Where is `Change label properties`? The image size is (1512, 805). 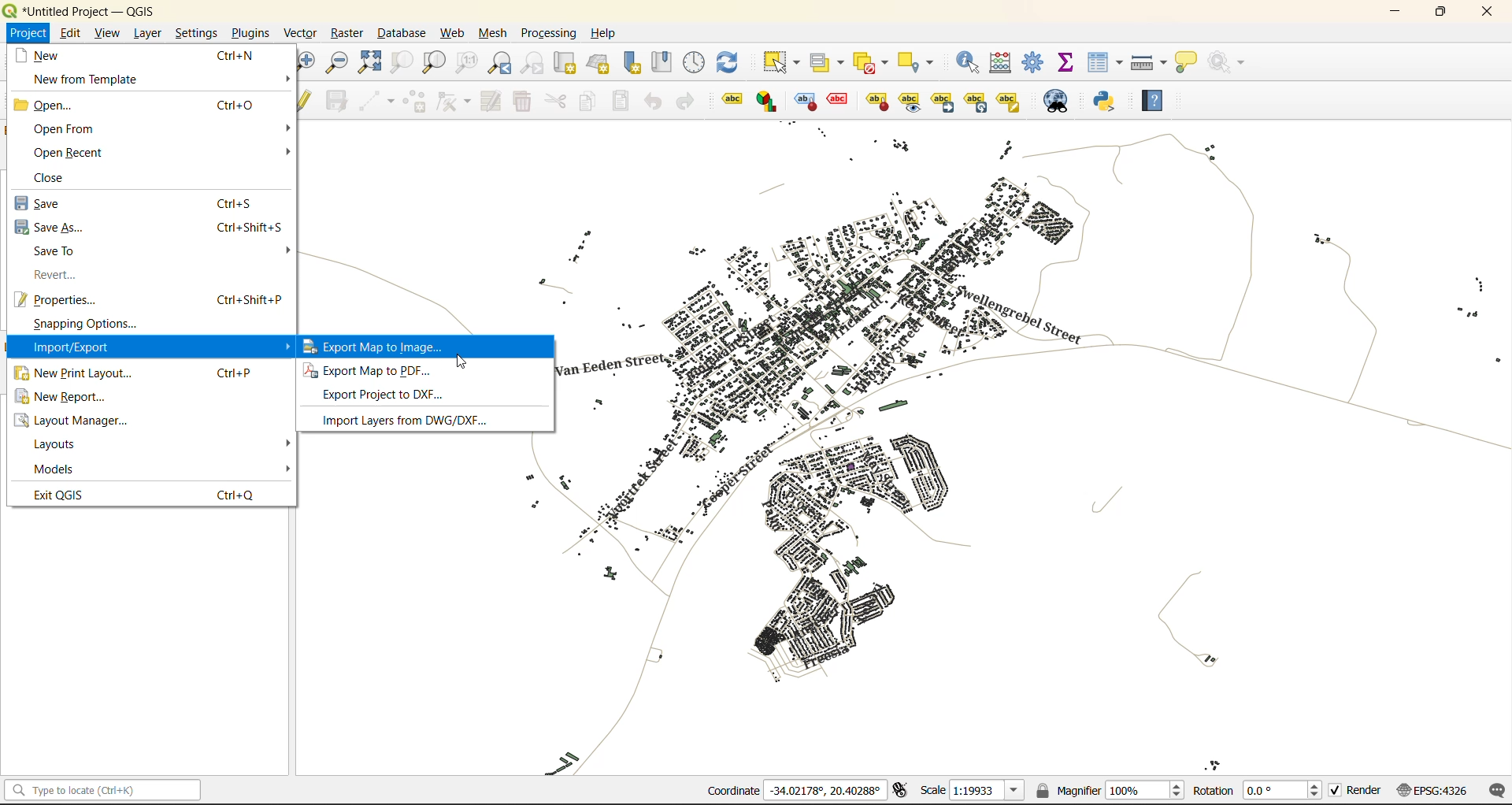
Change label properties is located at coordinates (1009, 100).